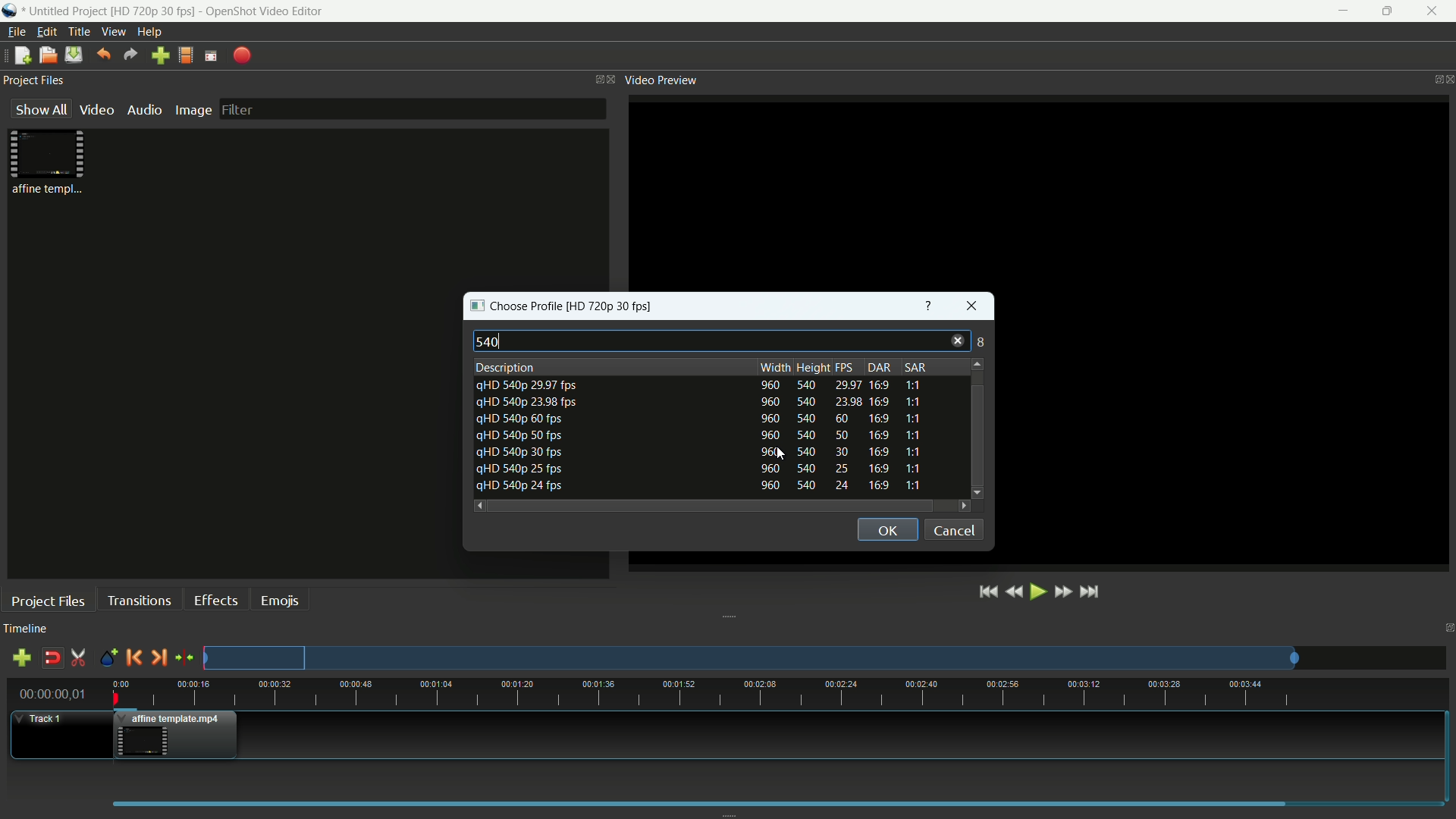  What do you see at coordinates (131, 55) in the screenshot?
I see `redo` at bounding box center [131, 55].